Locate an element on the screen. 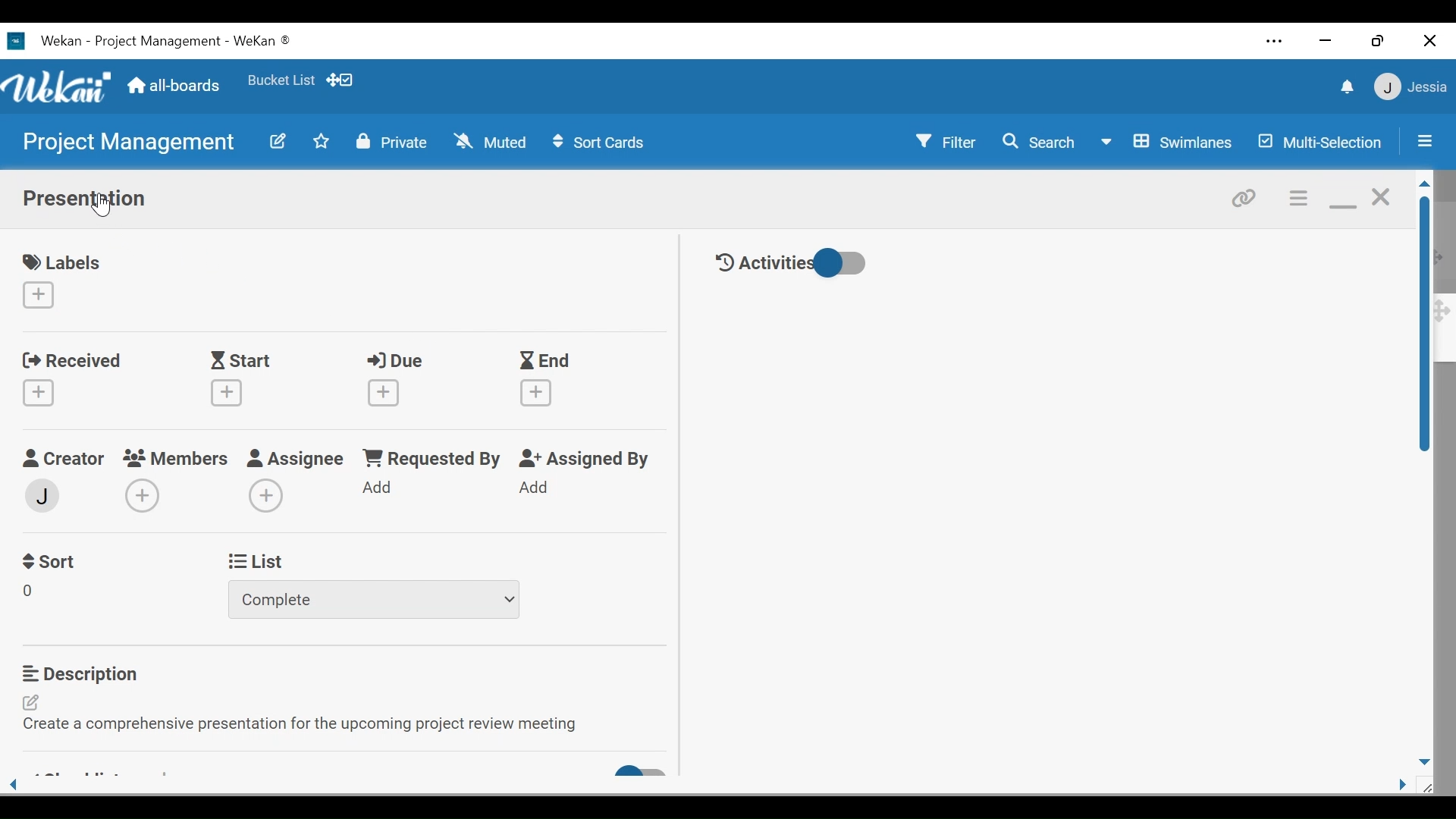  Create label is located at coordinates (39, 295).